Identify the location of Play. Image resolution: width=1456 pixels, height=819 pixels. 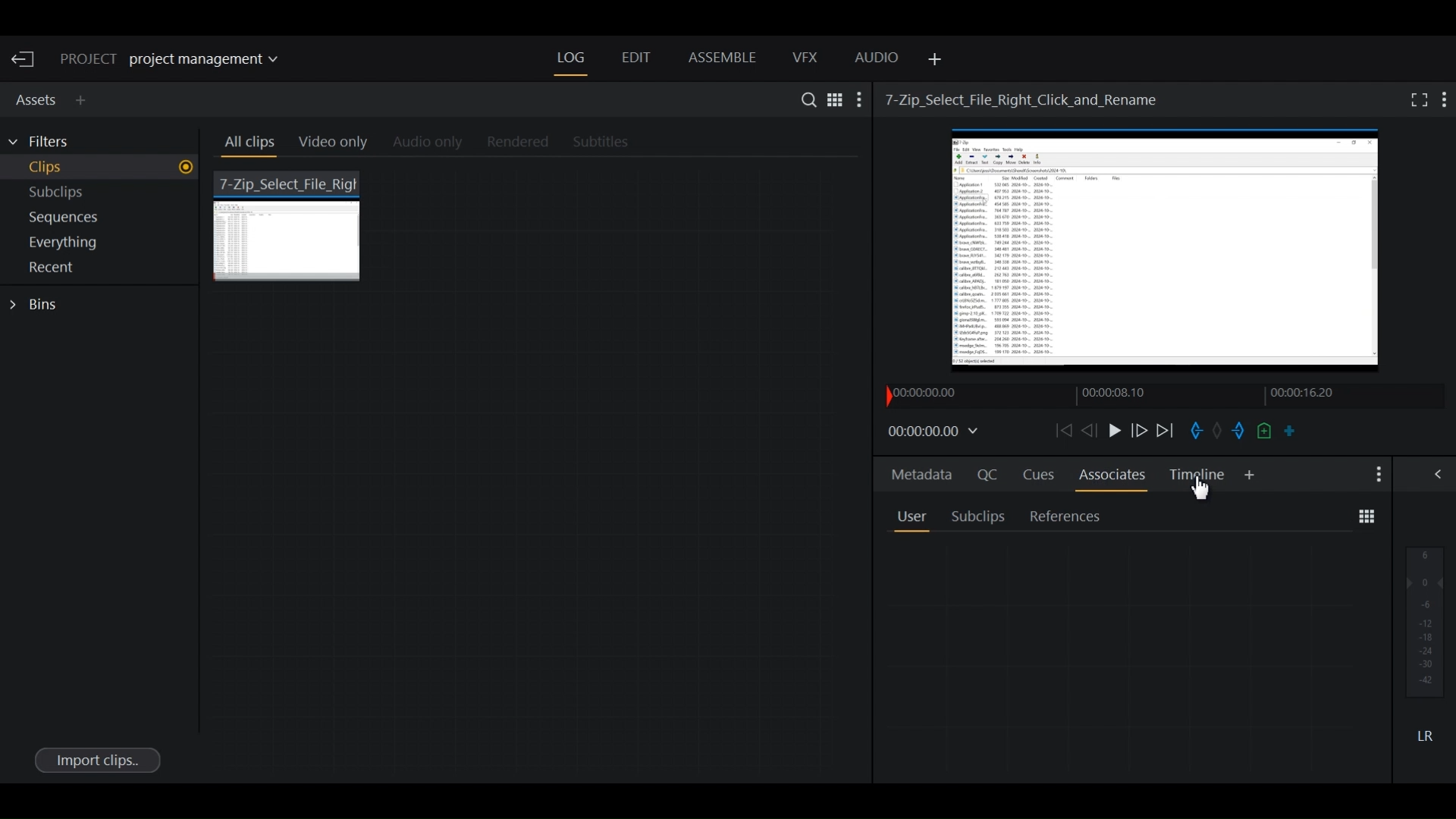
(1113, 430).